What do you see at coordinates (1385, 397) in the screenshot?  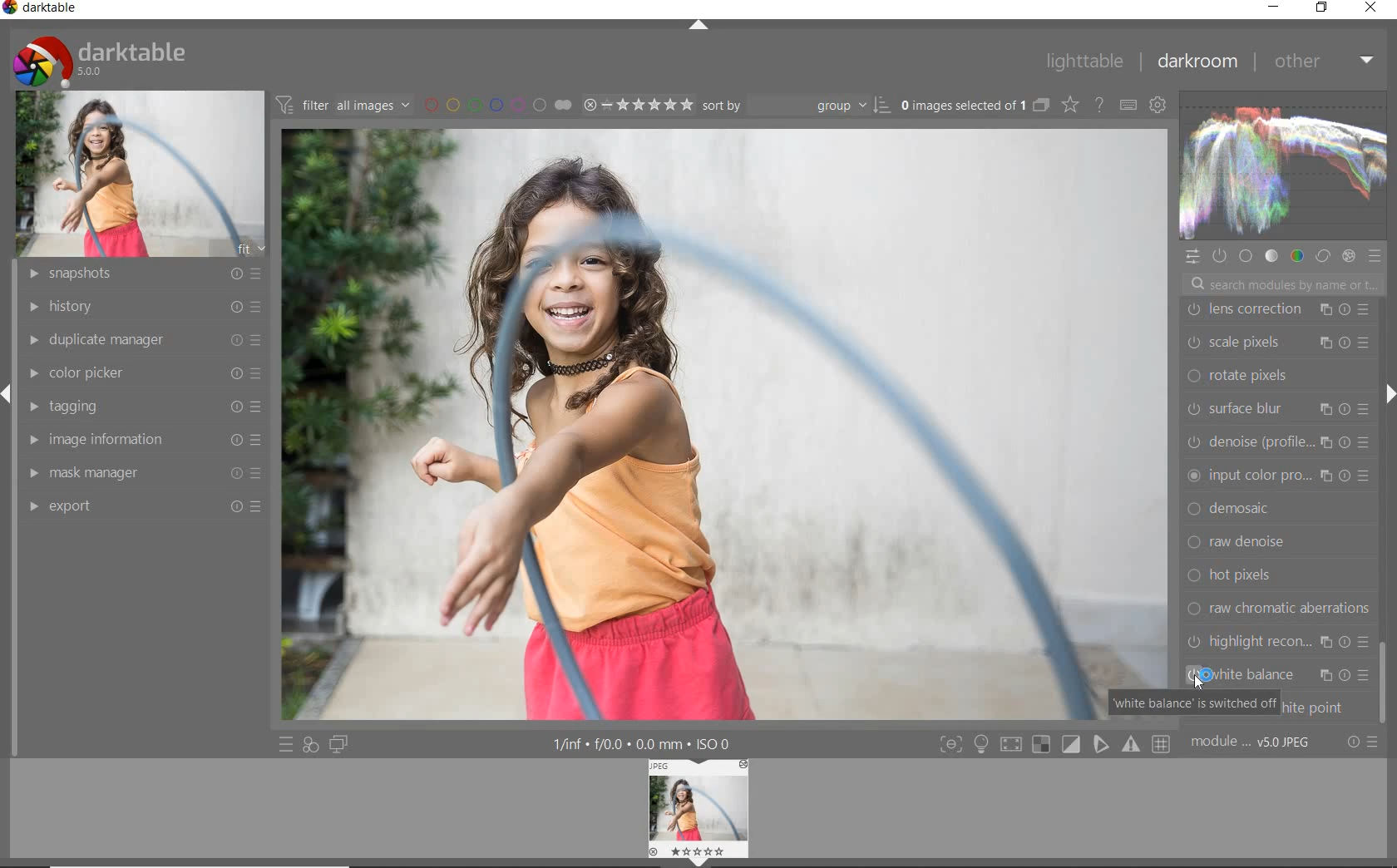 I see `expand/collapse` at bounding box center [1385, 397].